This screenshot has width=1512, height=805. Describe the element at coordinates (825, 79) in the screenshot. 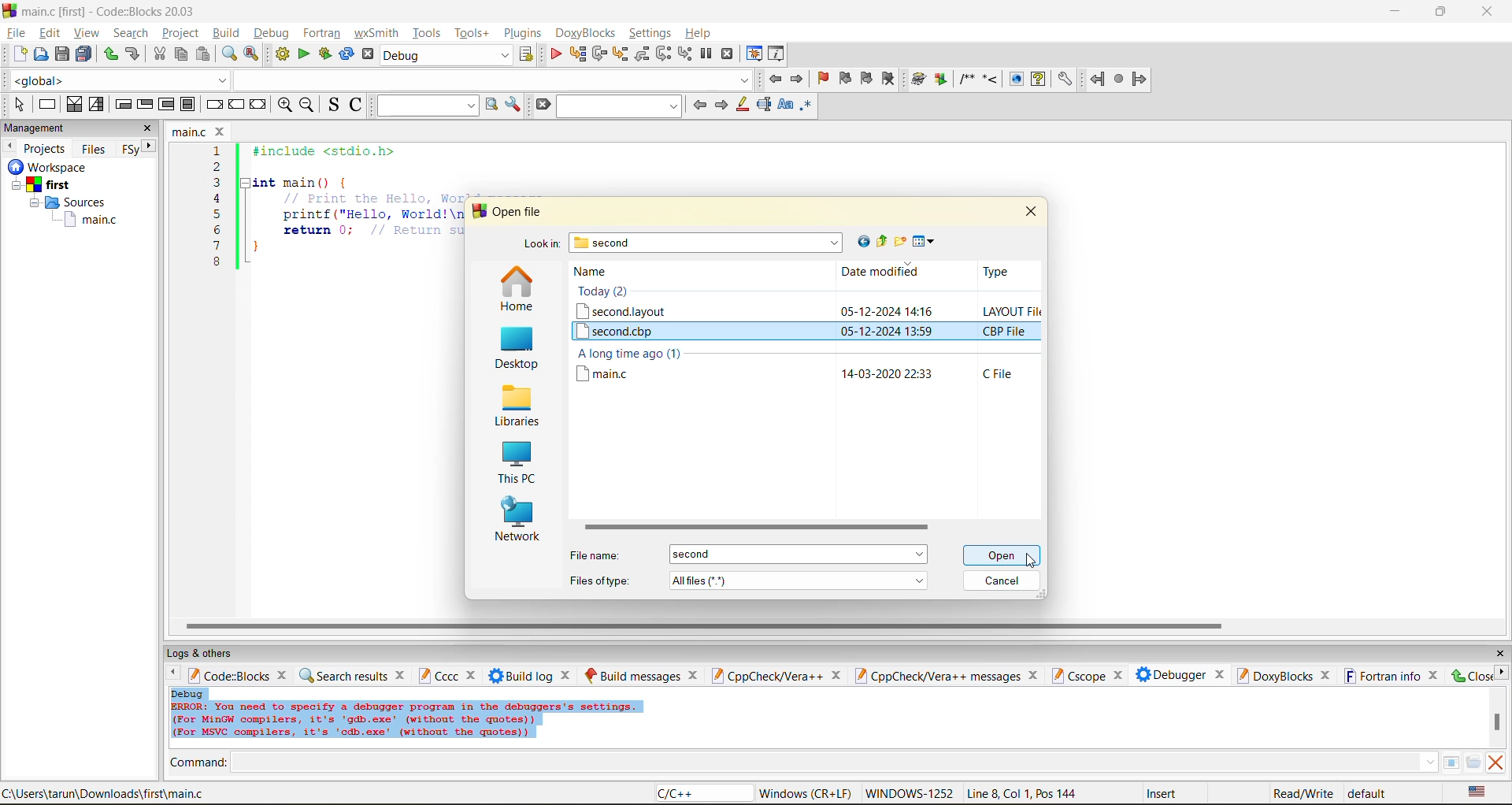

I see `toggle bookmark` at that location.